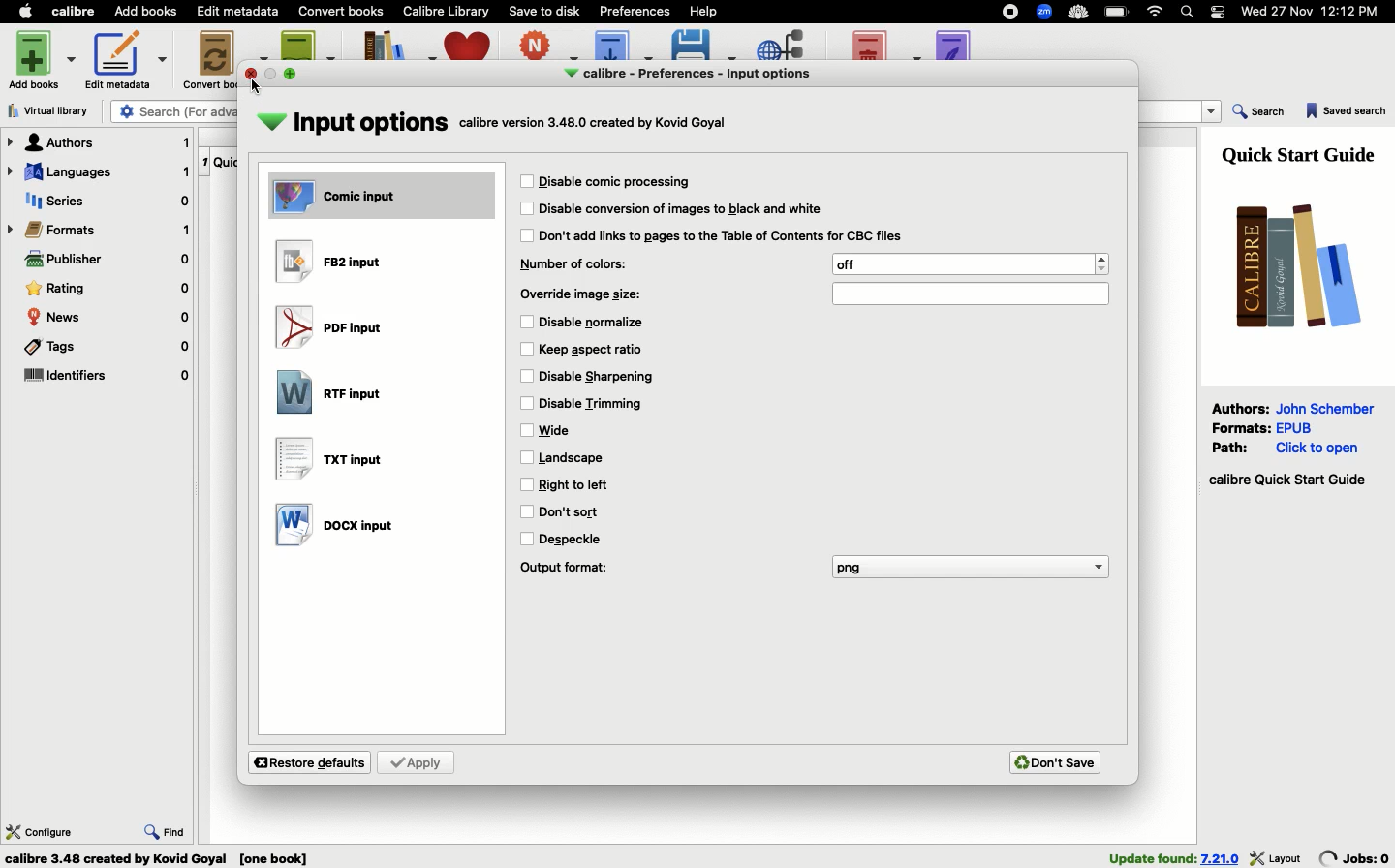 This screenshot has height=868, width=1395. Describe the element at coordinates (528, 181) in the screenshot. I see `Checkbox` at that location.